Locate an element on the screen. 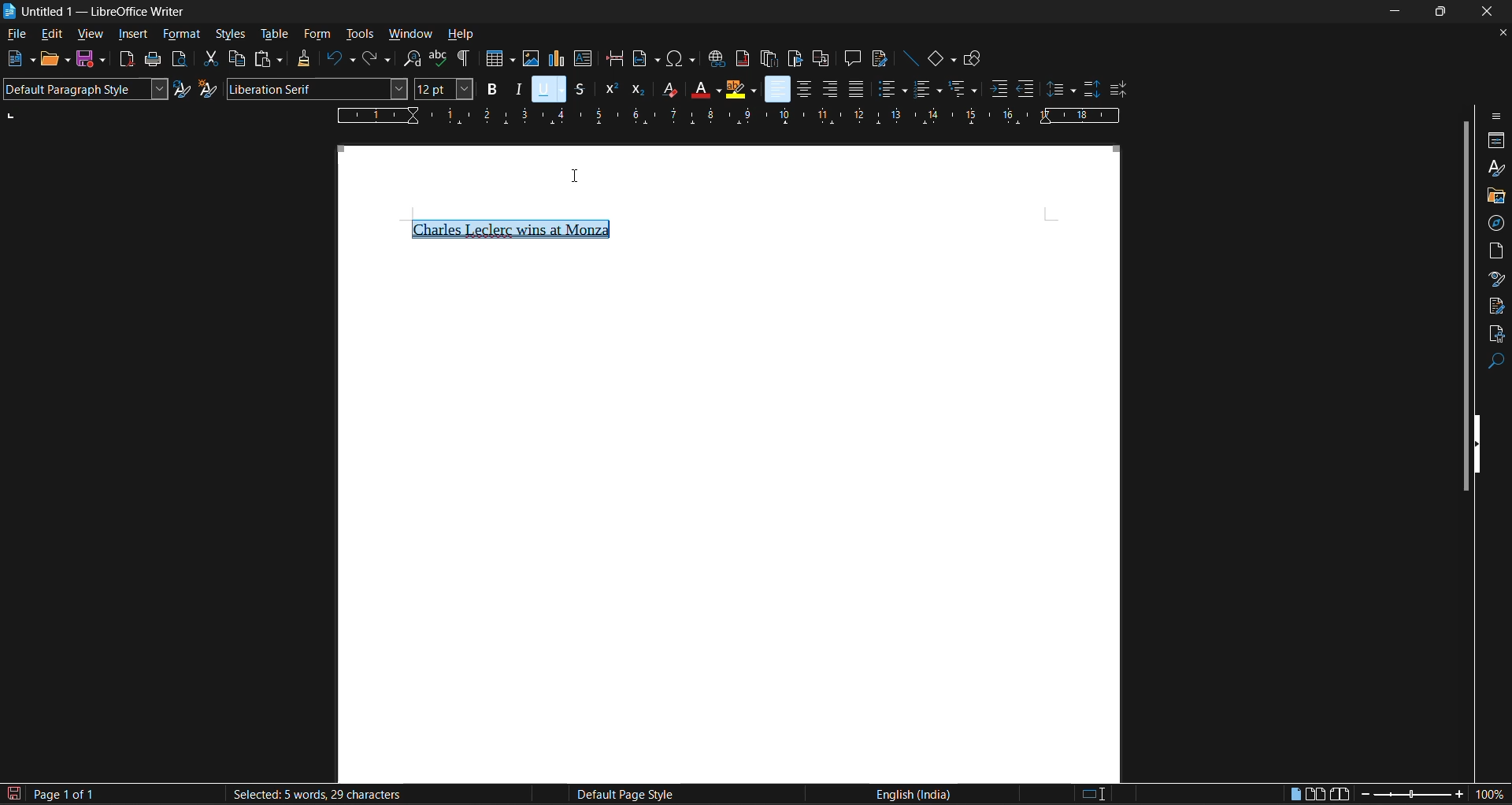  align right is located at coordinates (829, 89).